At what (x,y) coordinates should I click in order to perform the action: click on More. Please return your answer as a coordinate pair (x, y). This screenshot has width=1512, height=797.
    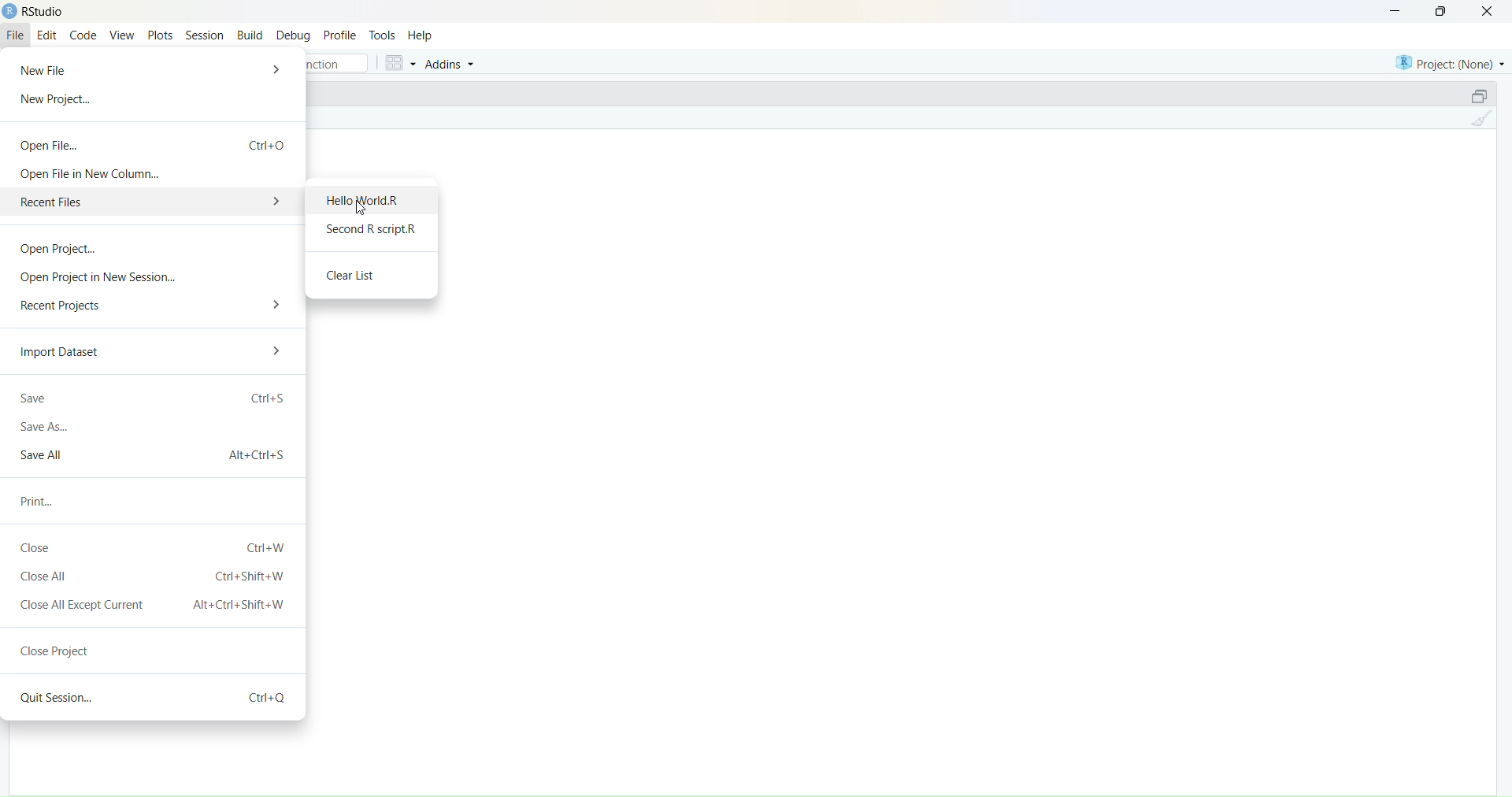
    Looking at the image, I should click on (277, 199).